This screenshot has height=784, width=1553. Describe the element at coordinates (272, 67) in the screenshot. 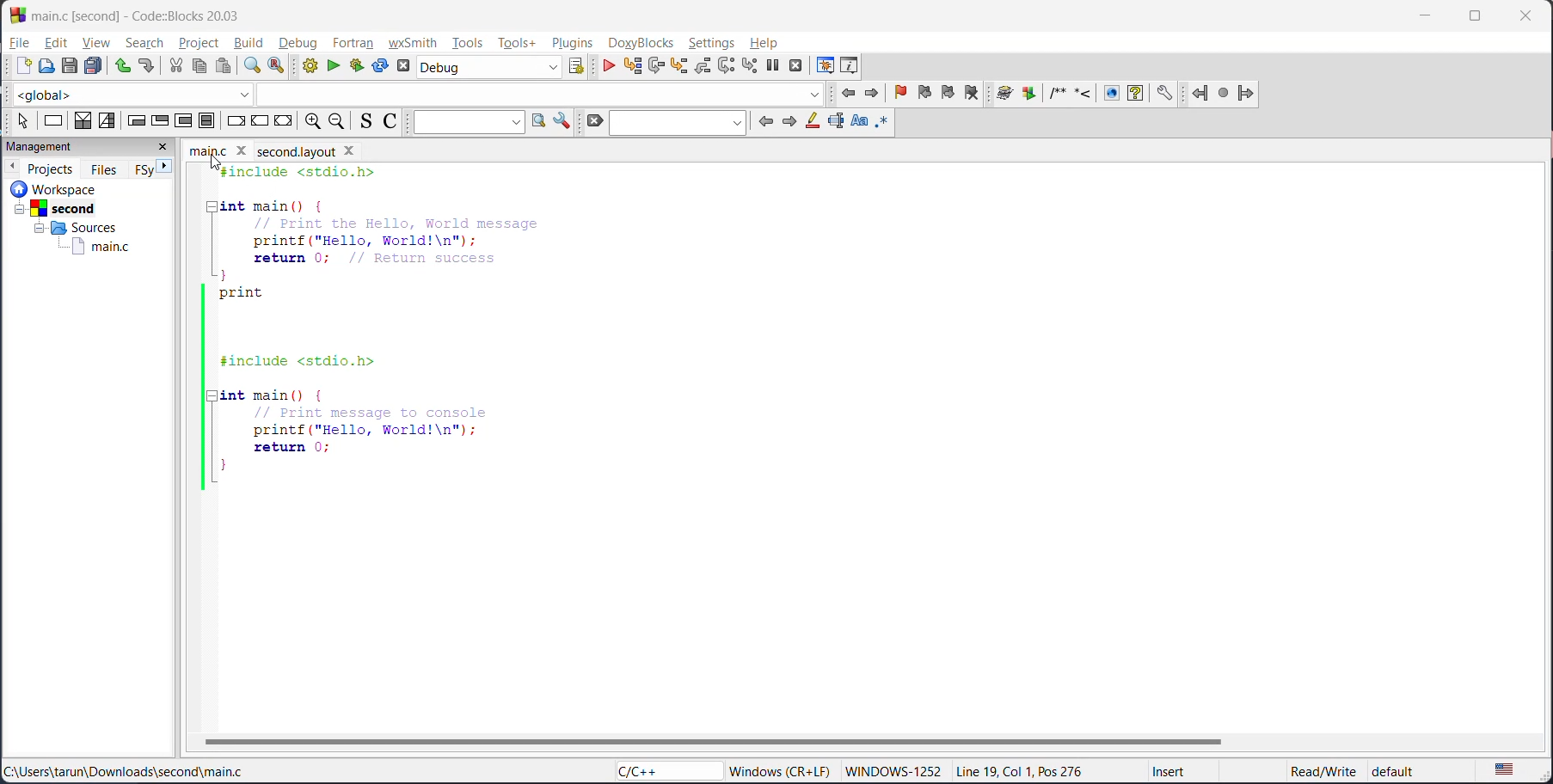

I see `replace` at that location.